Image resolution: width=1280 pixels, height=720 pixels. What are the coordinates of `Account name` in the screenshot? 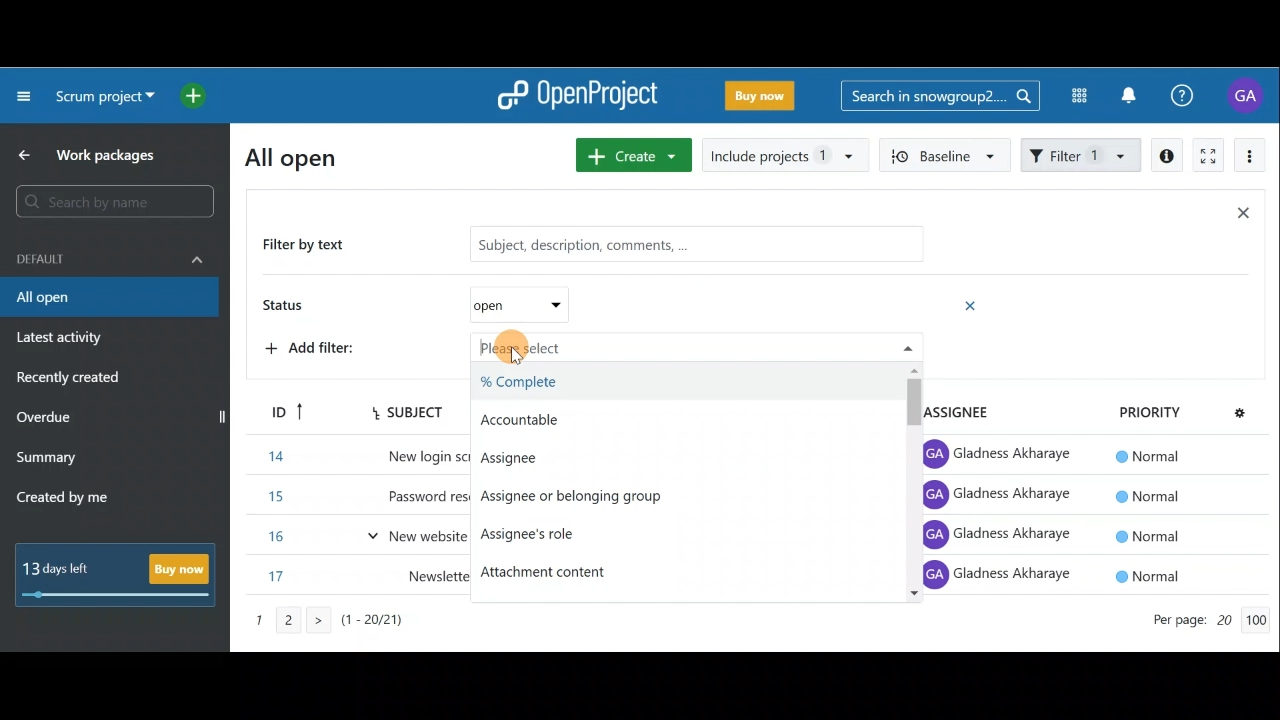 It's located at (1248, 95).